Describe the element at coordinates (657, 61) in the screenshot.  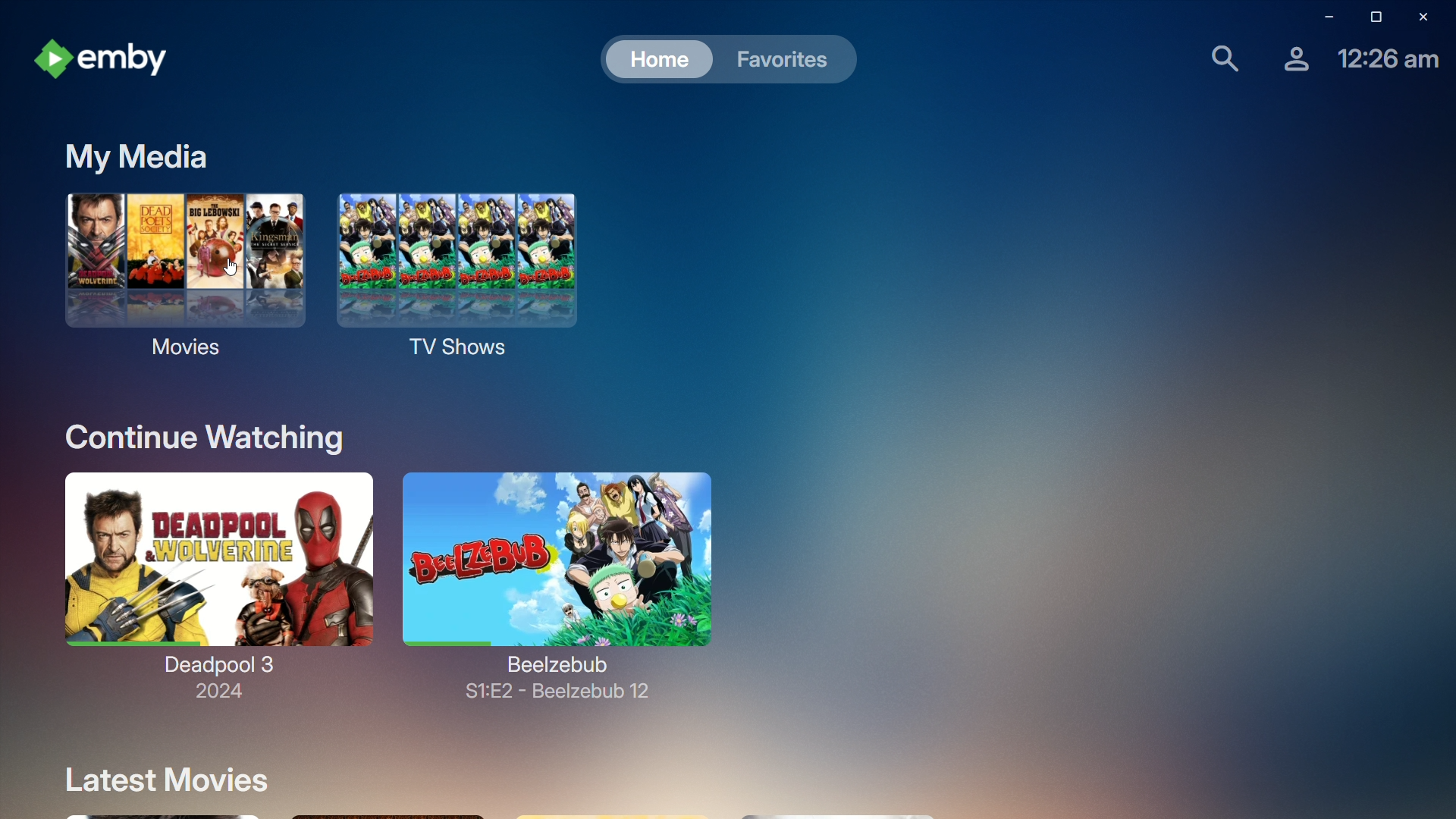
I see `Home` at that location.